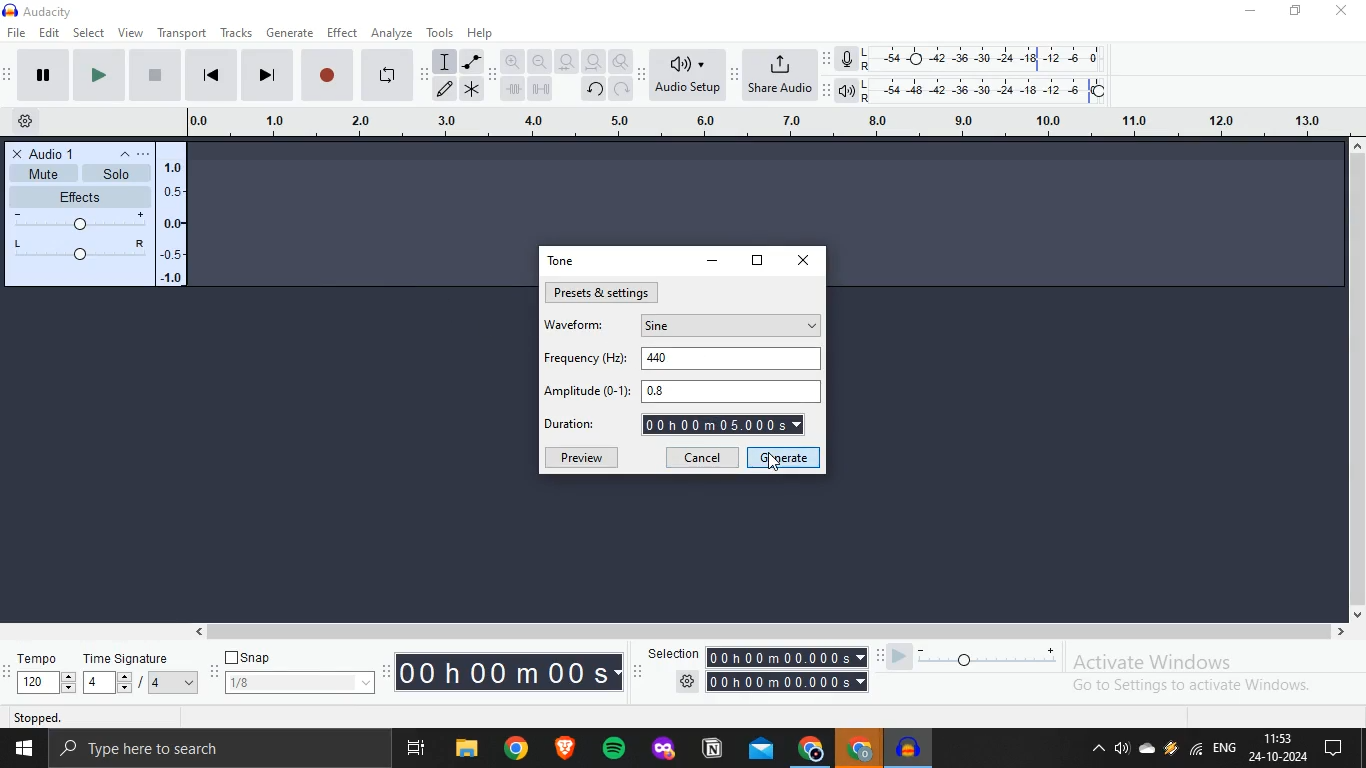 This screenshot has width=1366, height=768. What do you see at coordinates (181, 33) in the screenshot?
I see `Transport` at bounding box center [181, 33].